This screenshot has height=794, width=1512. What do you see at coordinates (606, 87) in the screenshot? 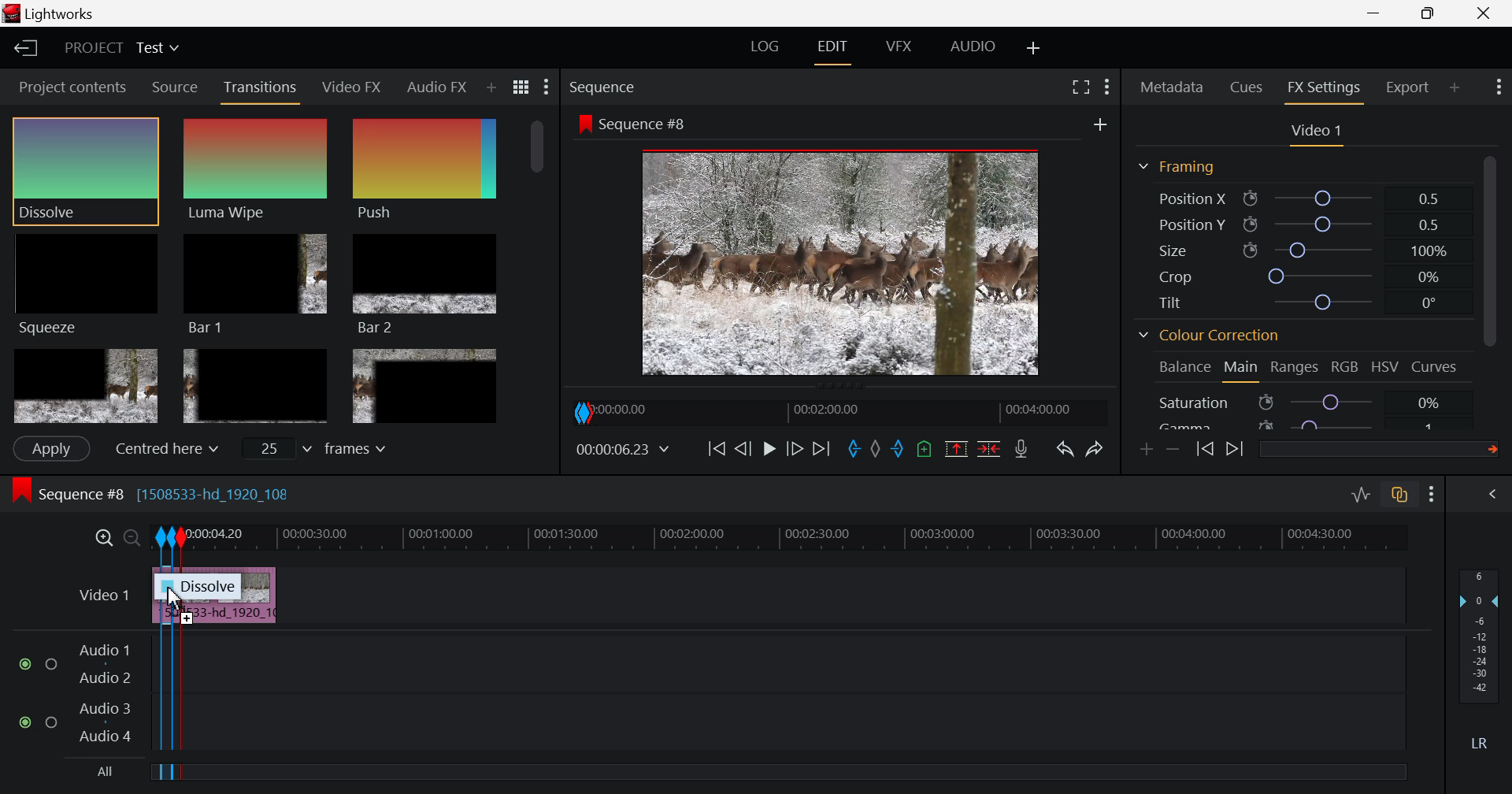
I see `Sequence ` at bounding box center [606, 87].